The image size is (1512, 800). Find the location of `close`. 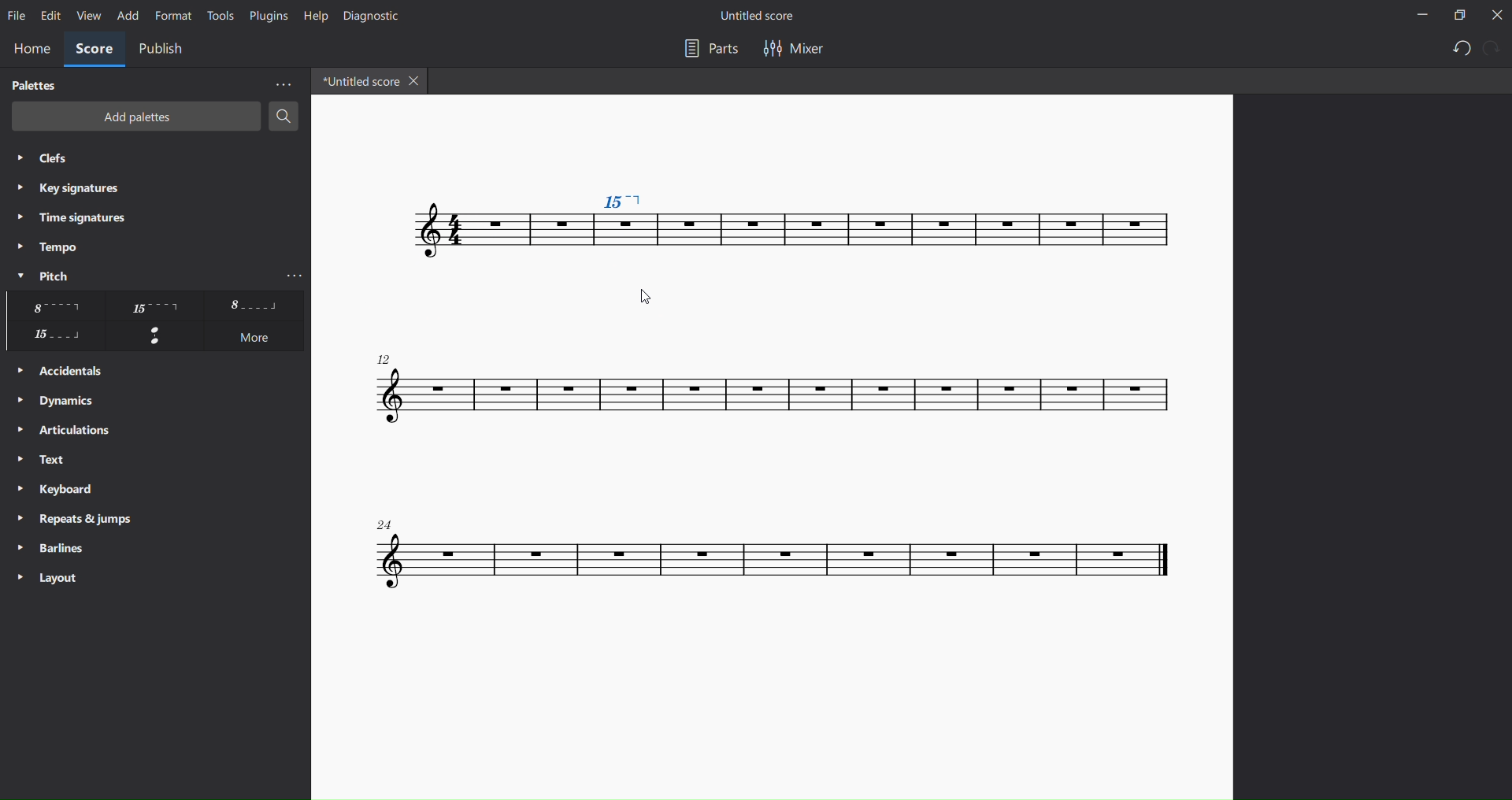

close is located at coordinates (1495, 14).